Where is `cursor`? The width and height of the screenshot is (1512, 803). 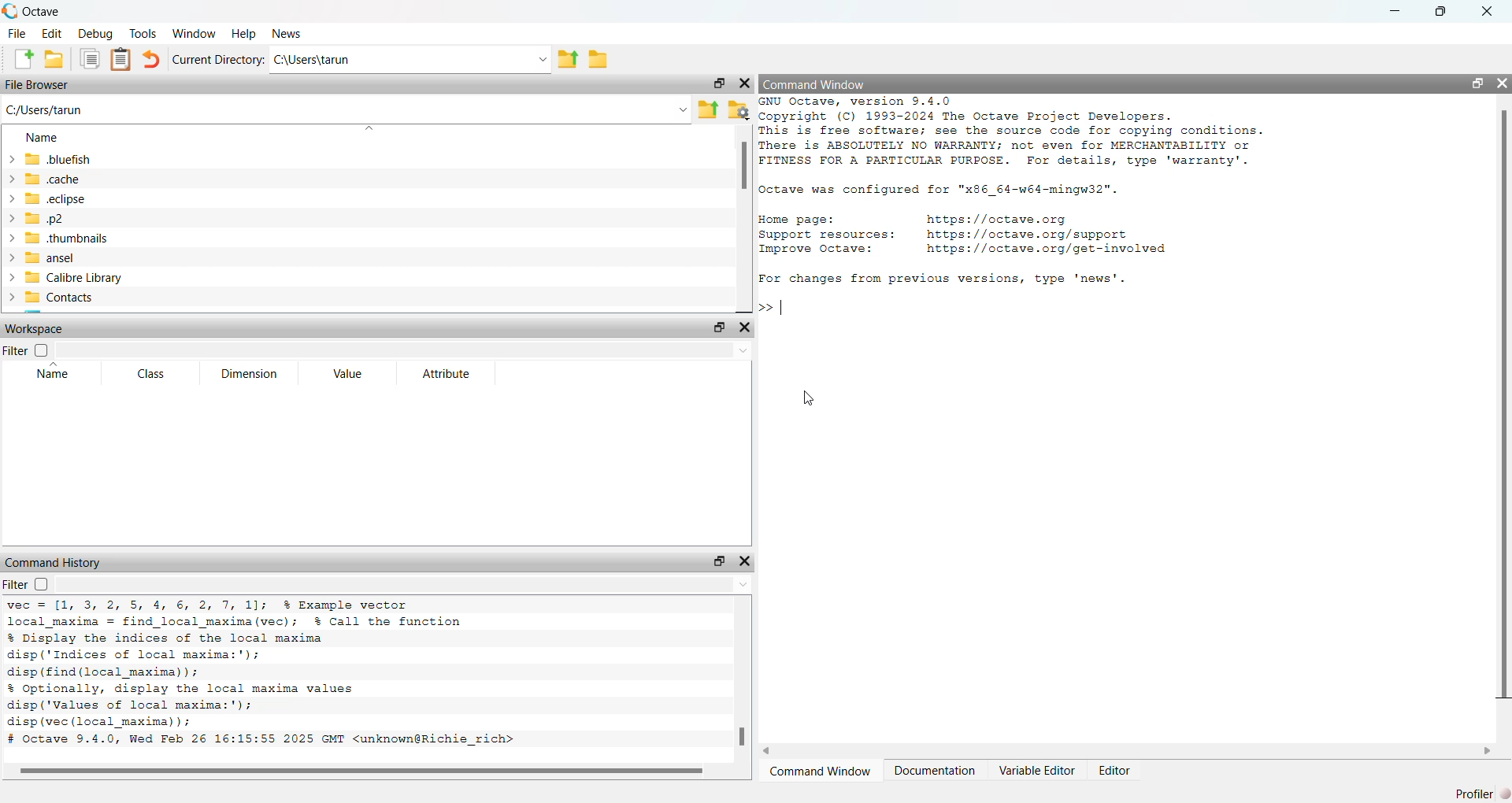 cursor is located at coordinates (808, 398).